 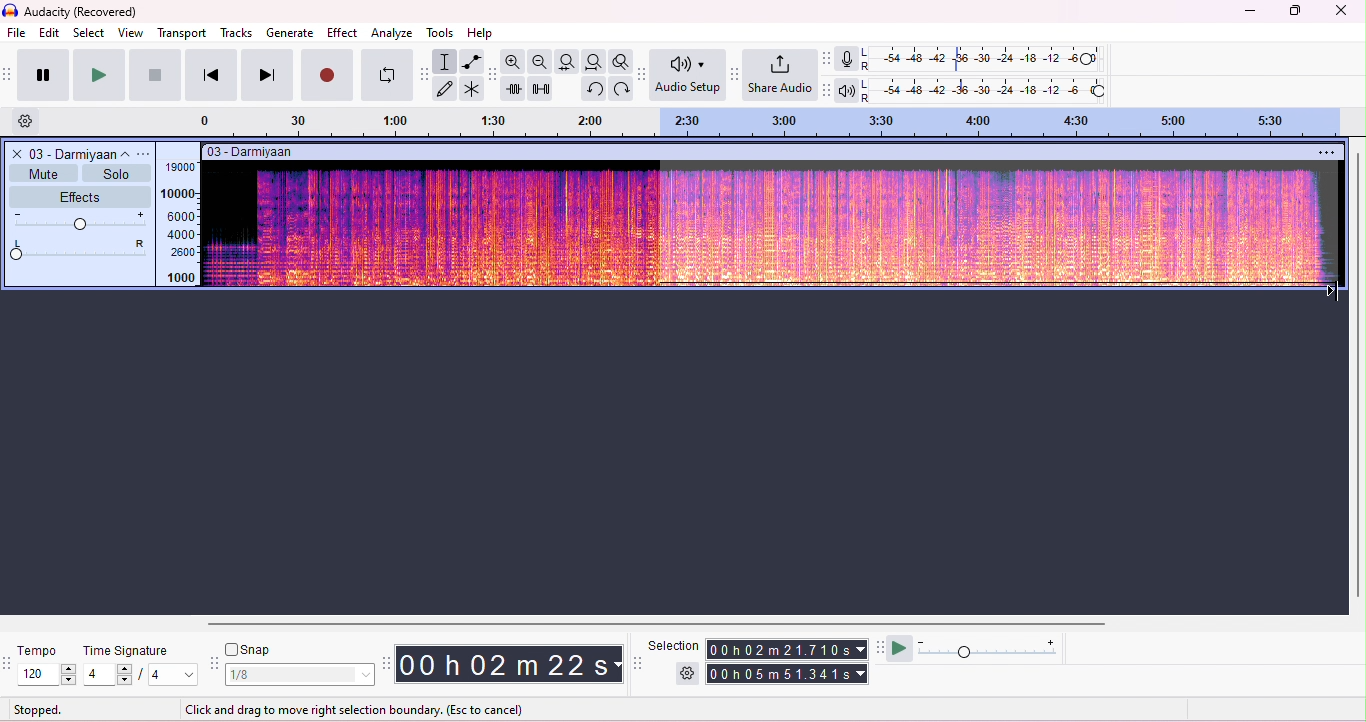 I want to click on selected time, so click(x=789, y=673).